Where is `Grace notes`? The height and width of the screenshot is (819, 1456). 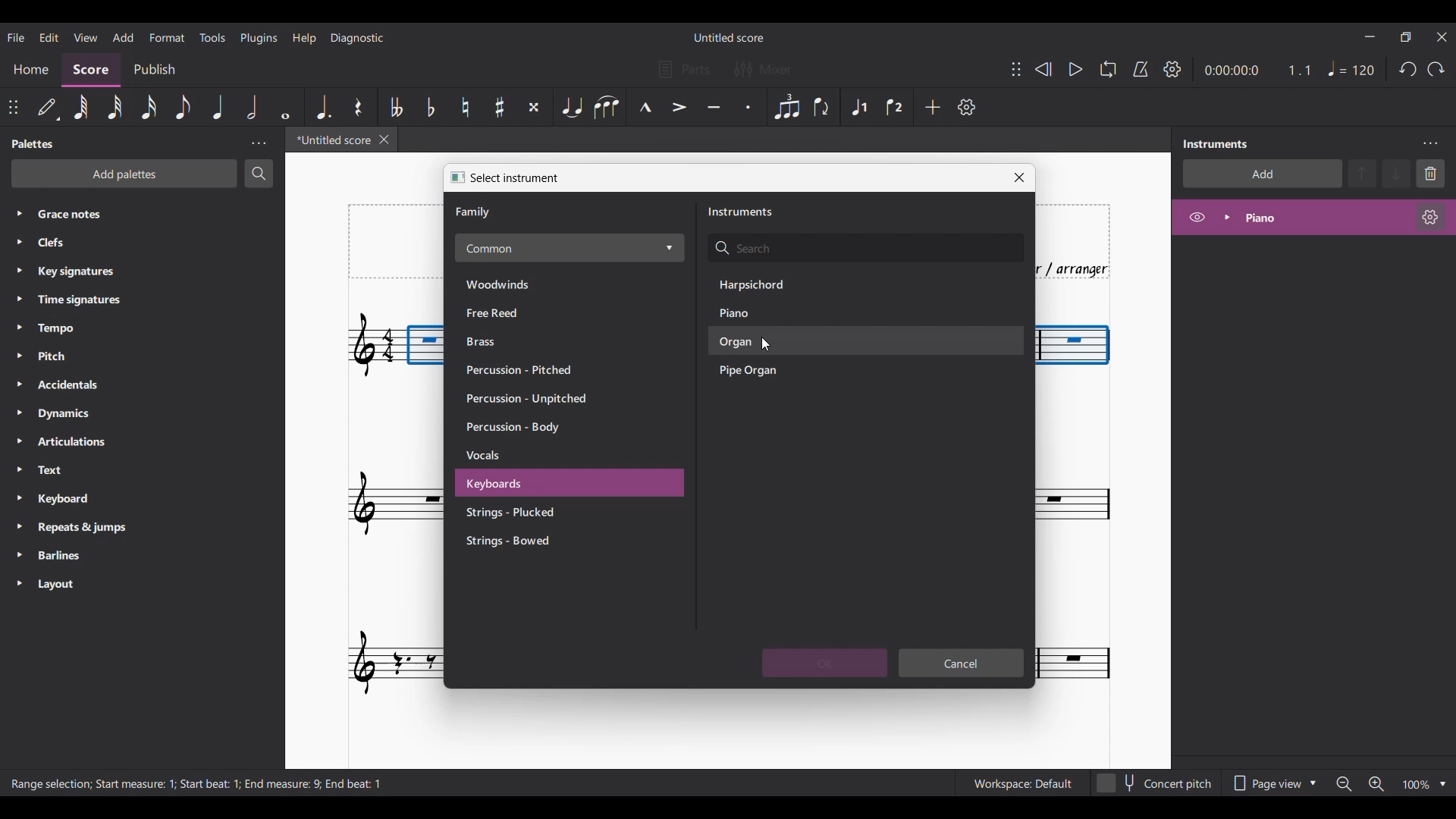 Grace notes is located at coordinates (153, 212).